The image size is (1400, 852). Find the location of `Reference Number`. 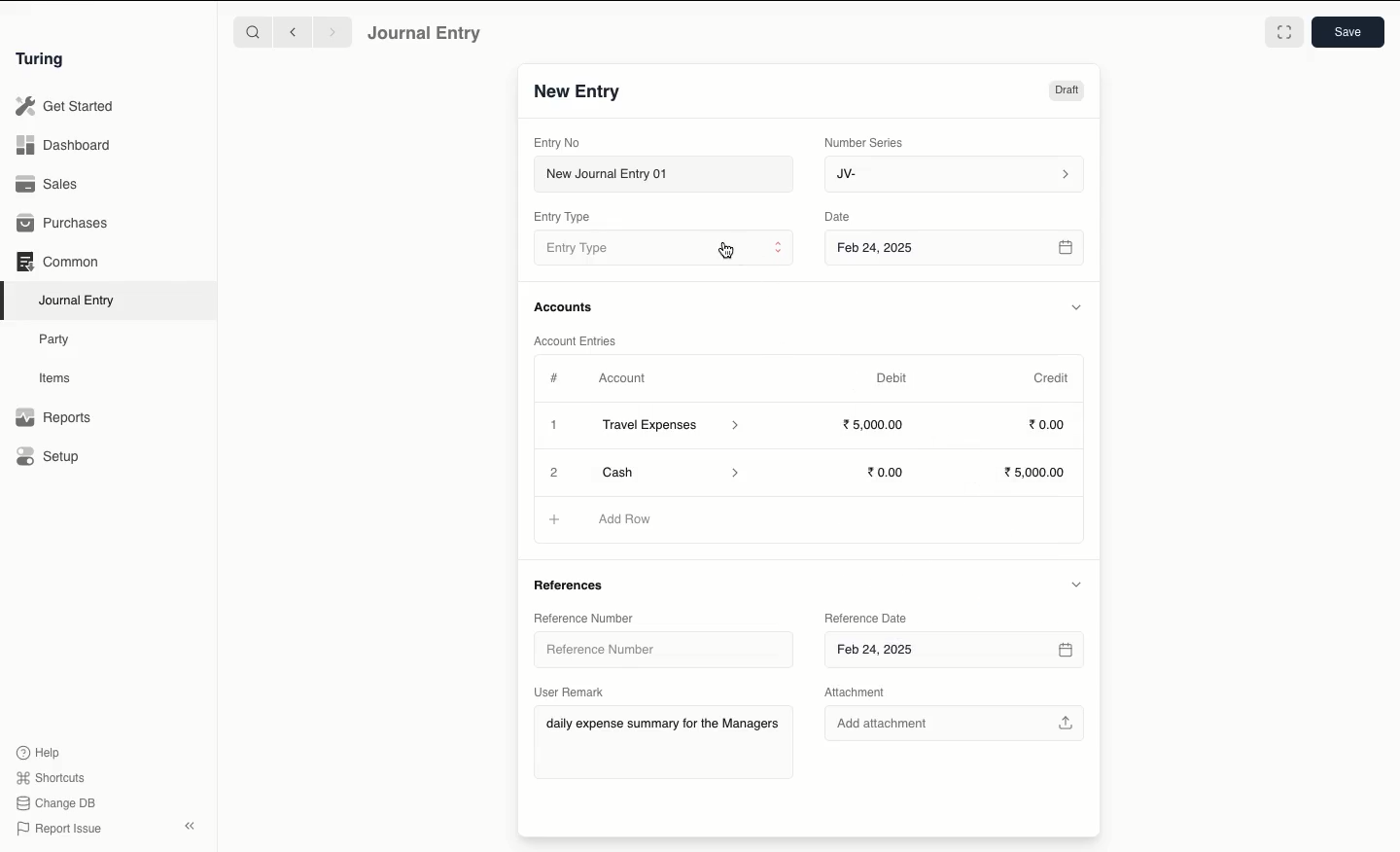

Reference Number is located at coordinates (651, 648).